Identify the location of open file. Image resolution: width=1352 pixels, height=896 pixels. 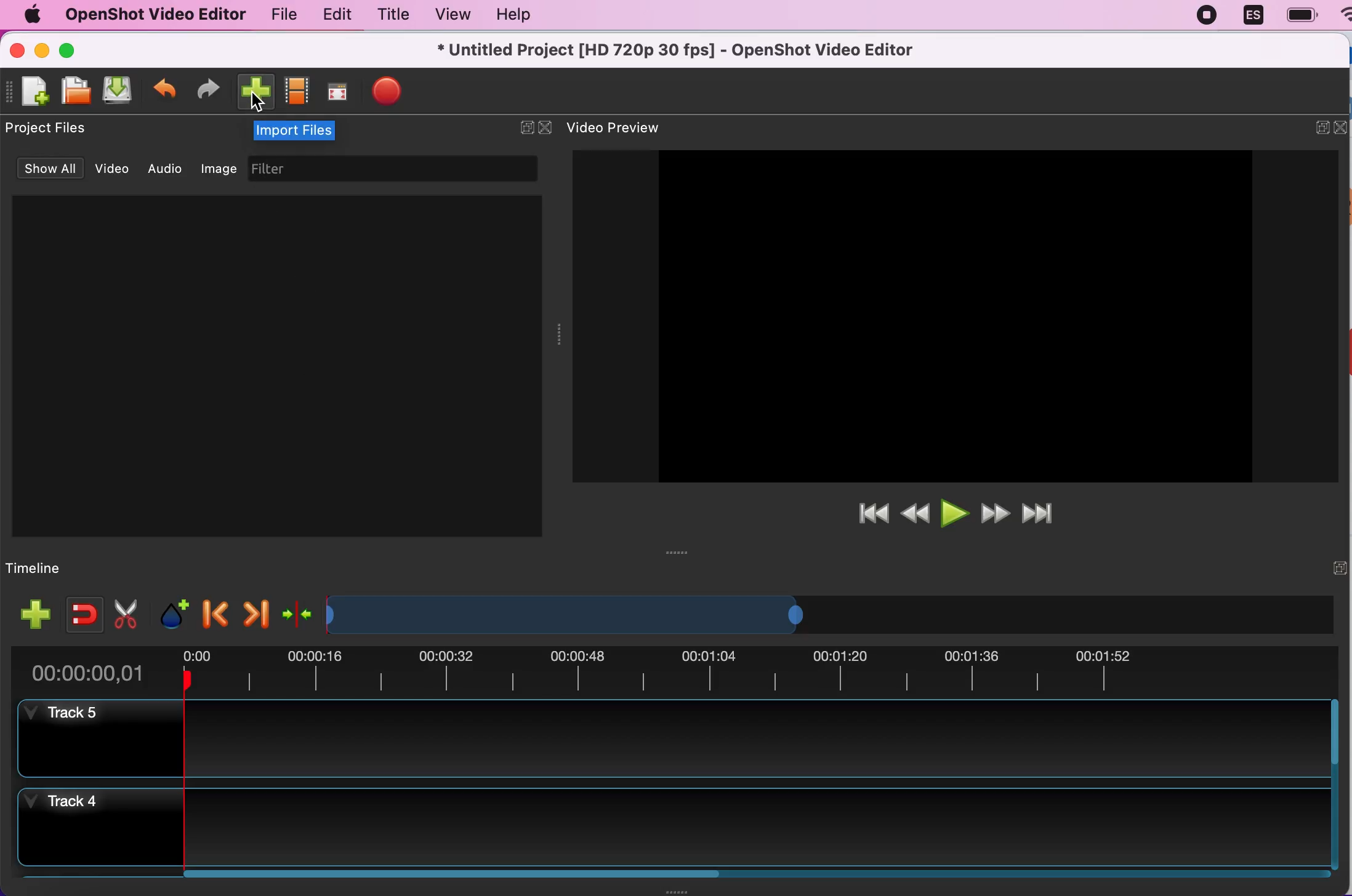
(76, 90).